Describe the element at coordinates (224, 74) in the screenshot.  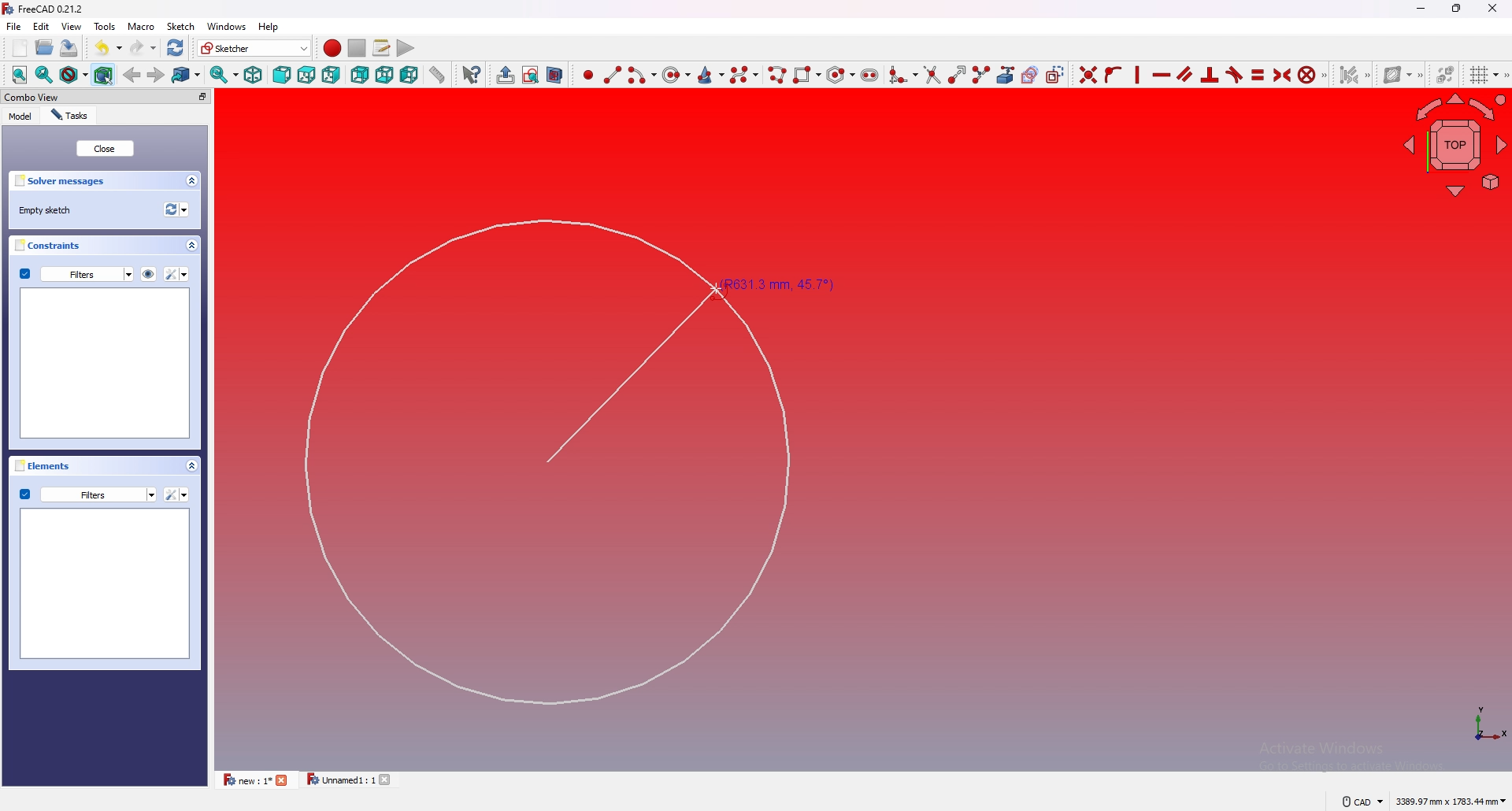
I see `synced view` at that location.